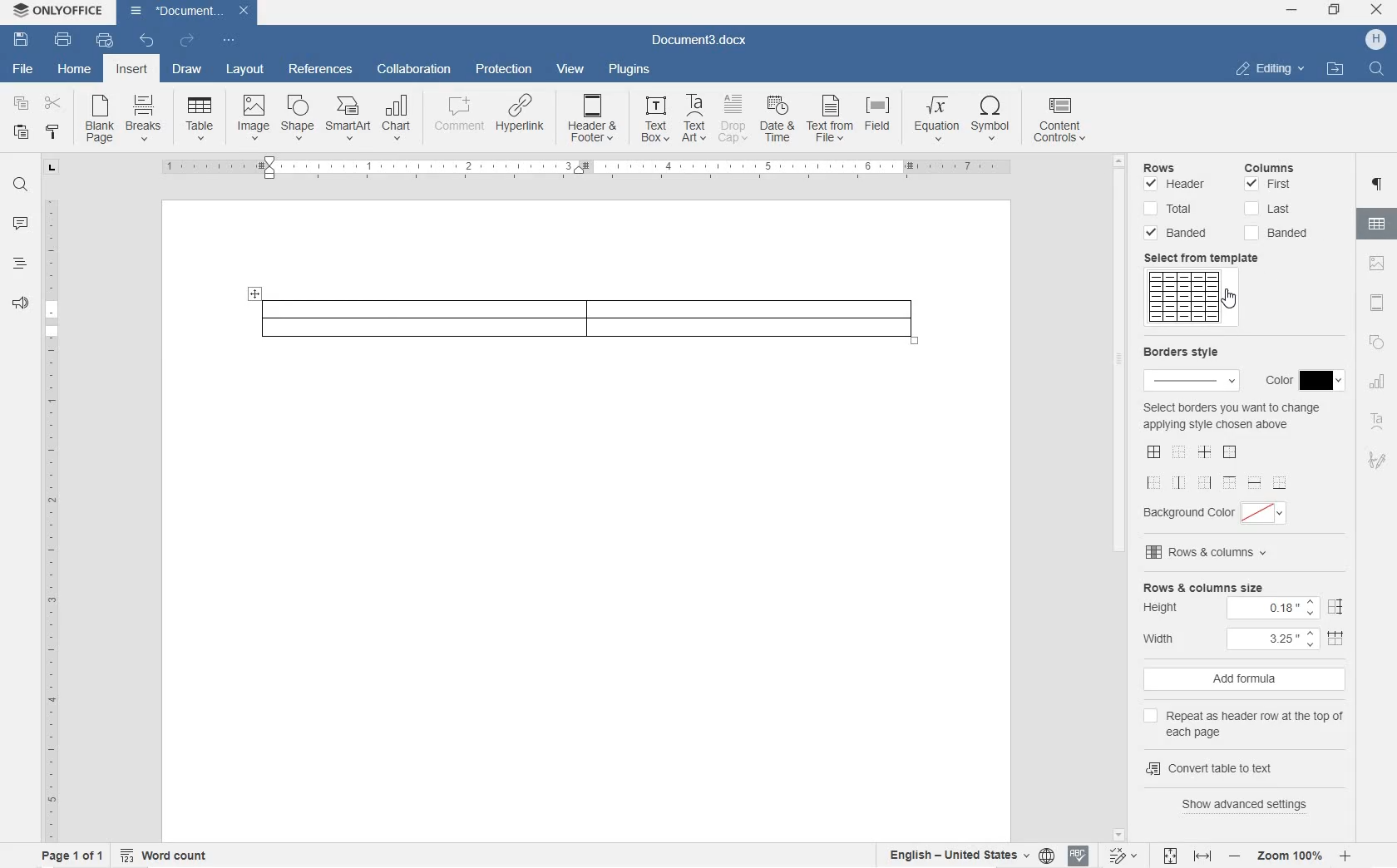 This screenshot has height=868, width=1397. Describe the element at coordinates (52, 167) in the screenshot. I see `TAB` at that location.